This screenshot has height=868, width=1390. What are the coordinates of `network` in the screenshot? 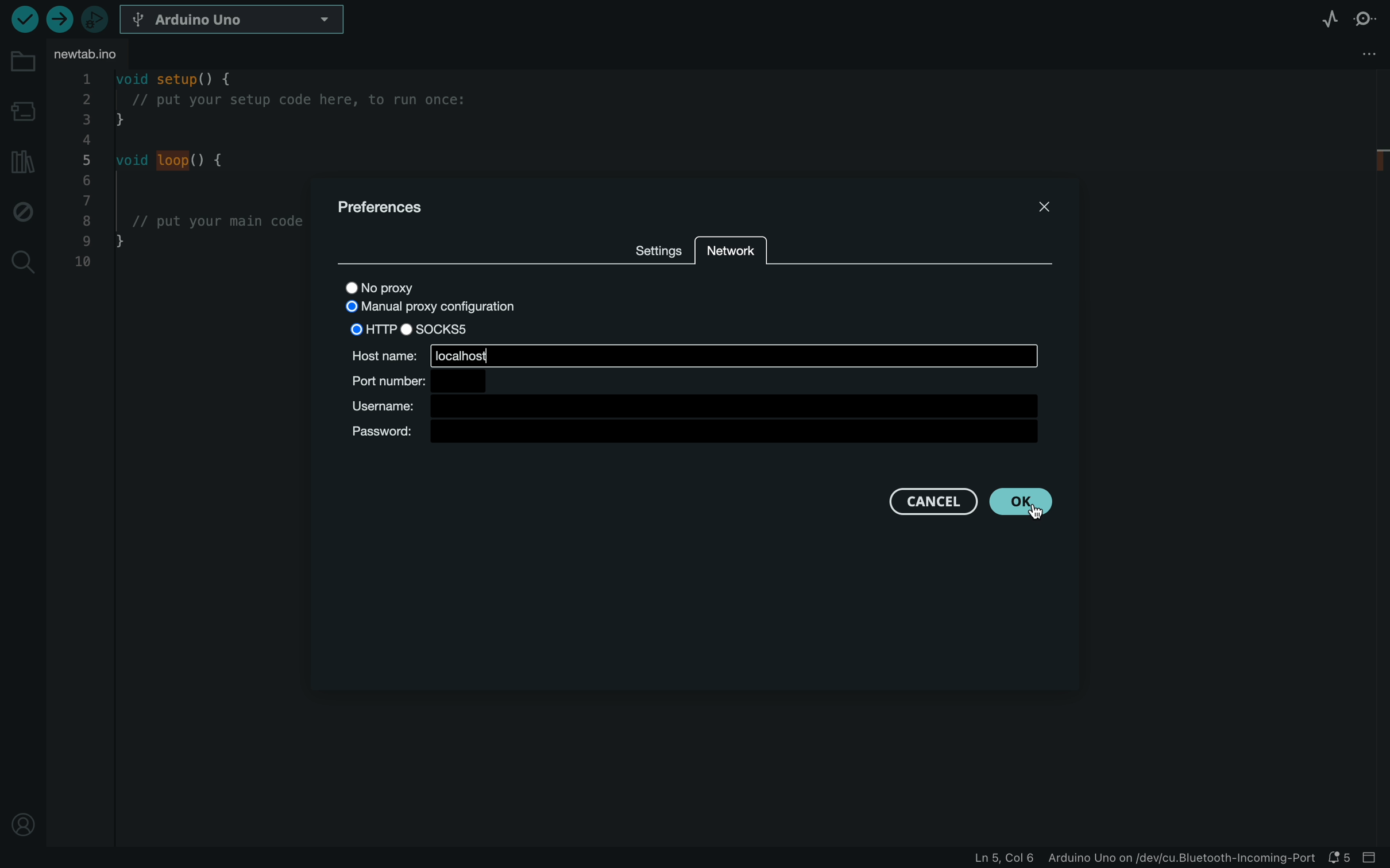 It's located at (731, 259).